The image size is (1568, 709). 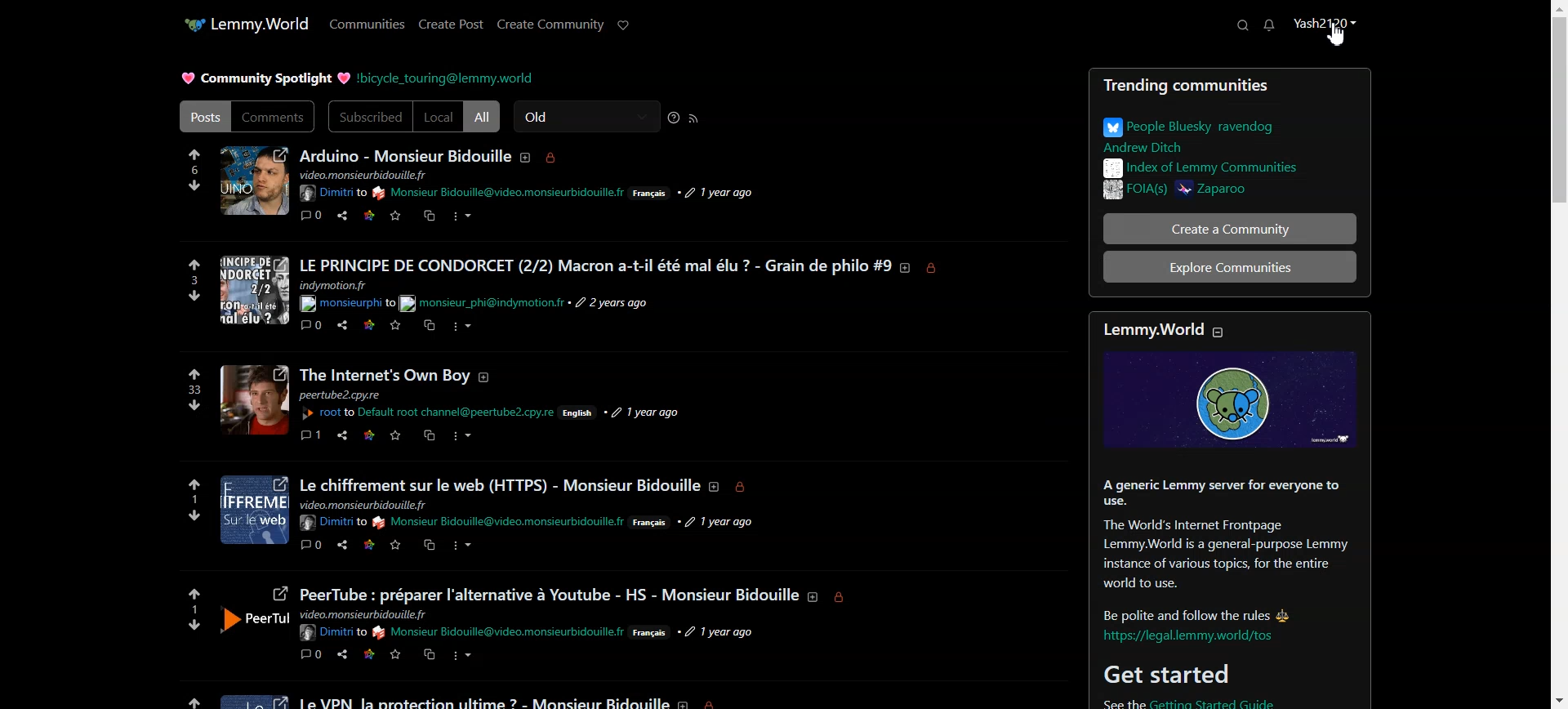 What do you see at coordinates (430, 328) in the screenshot?
I see `copy` at bounding box center [430, 328].